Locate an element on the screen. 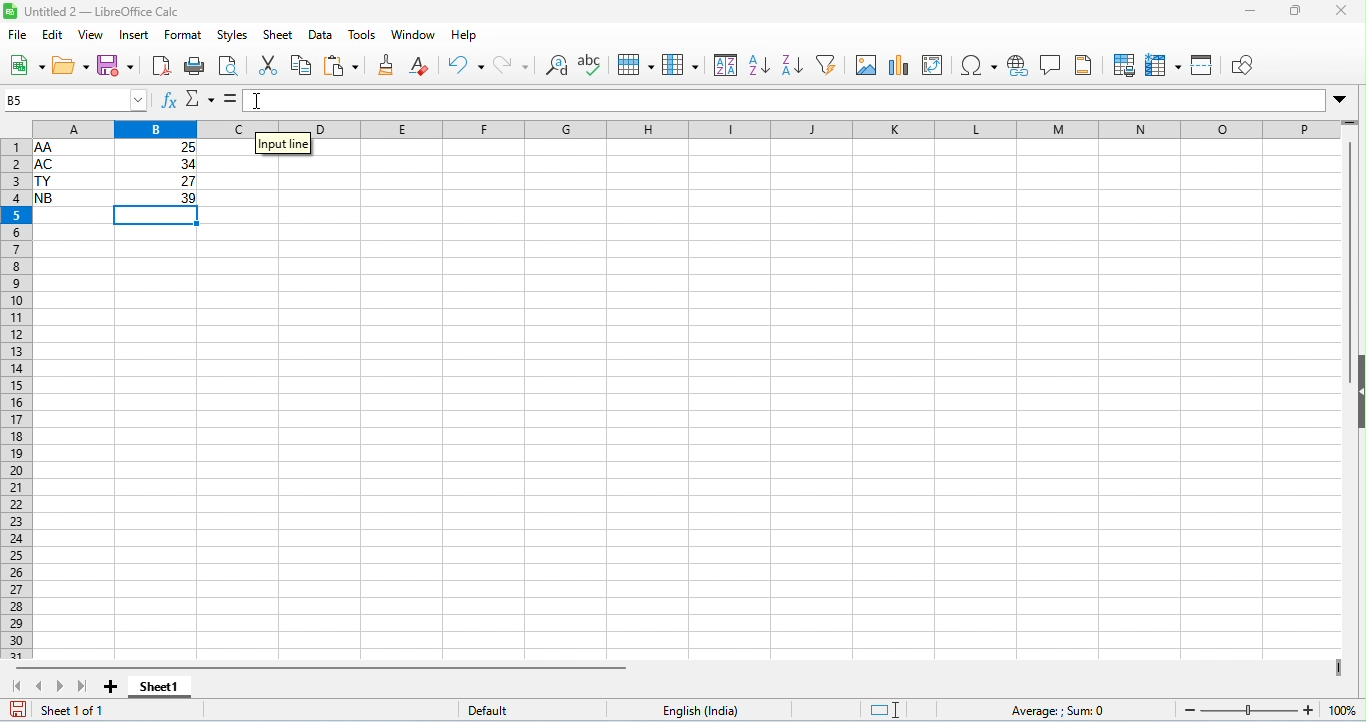 The height and width of the screenshot is (722, 1366). selected cell is located at coordinates (158, 219).